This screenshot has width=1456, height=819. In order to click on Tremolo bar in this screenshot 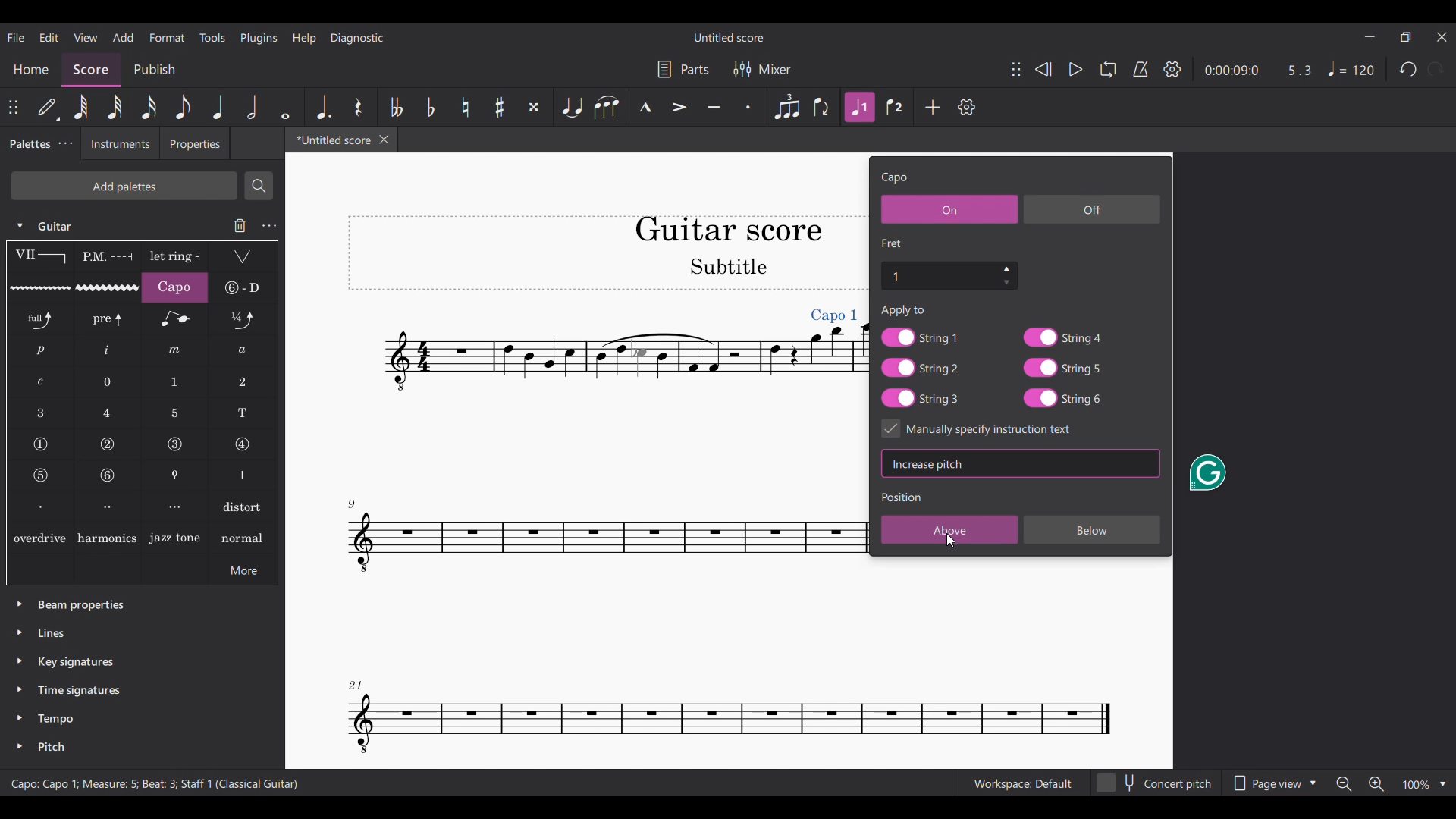, I will do `click(243, 257)`.